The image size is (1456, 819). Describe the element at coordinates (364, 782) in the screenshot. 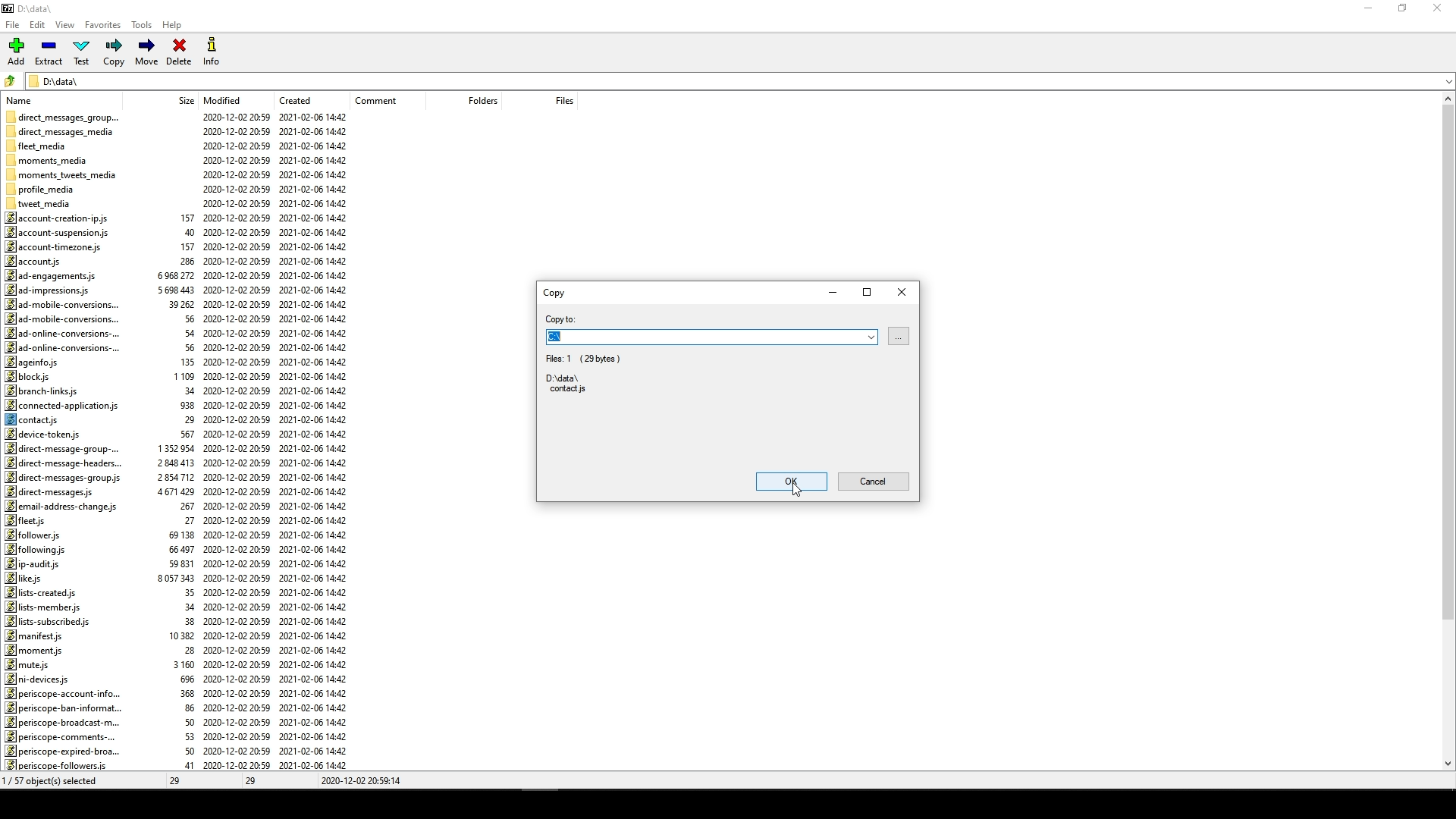

I see `2020-12-02 20:59:14` at that location.